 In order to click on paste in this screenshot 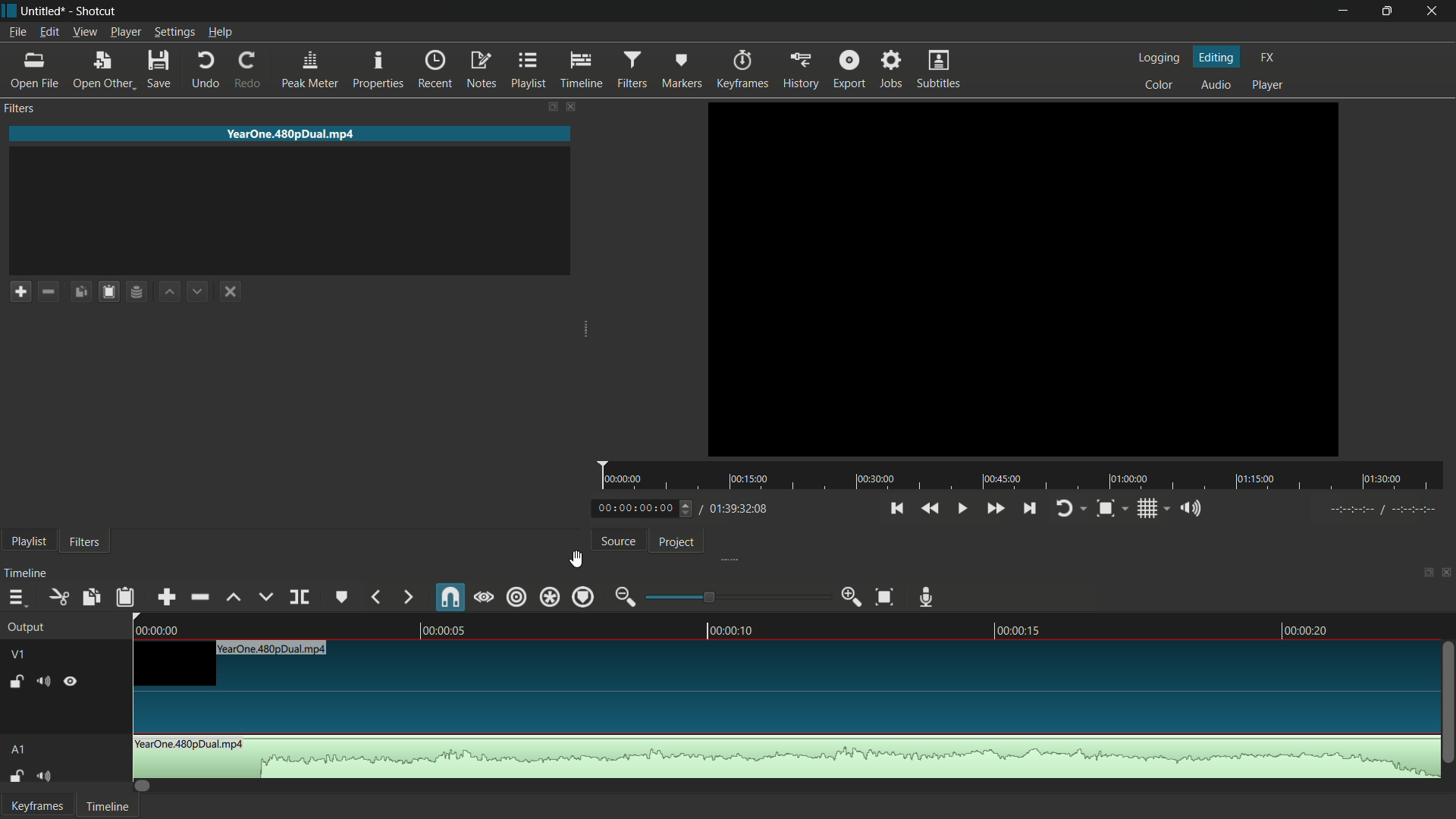, I will do `click(125, 598)`.